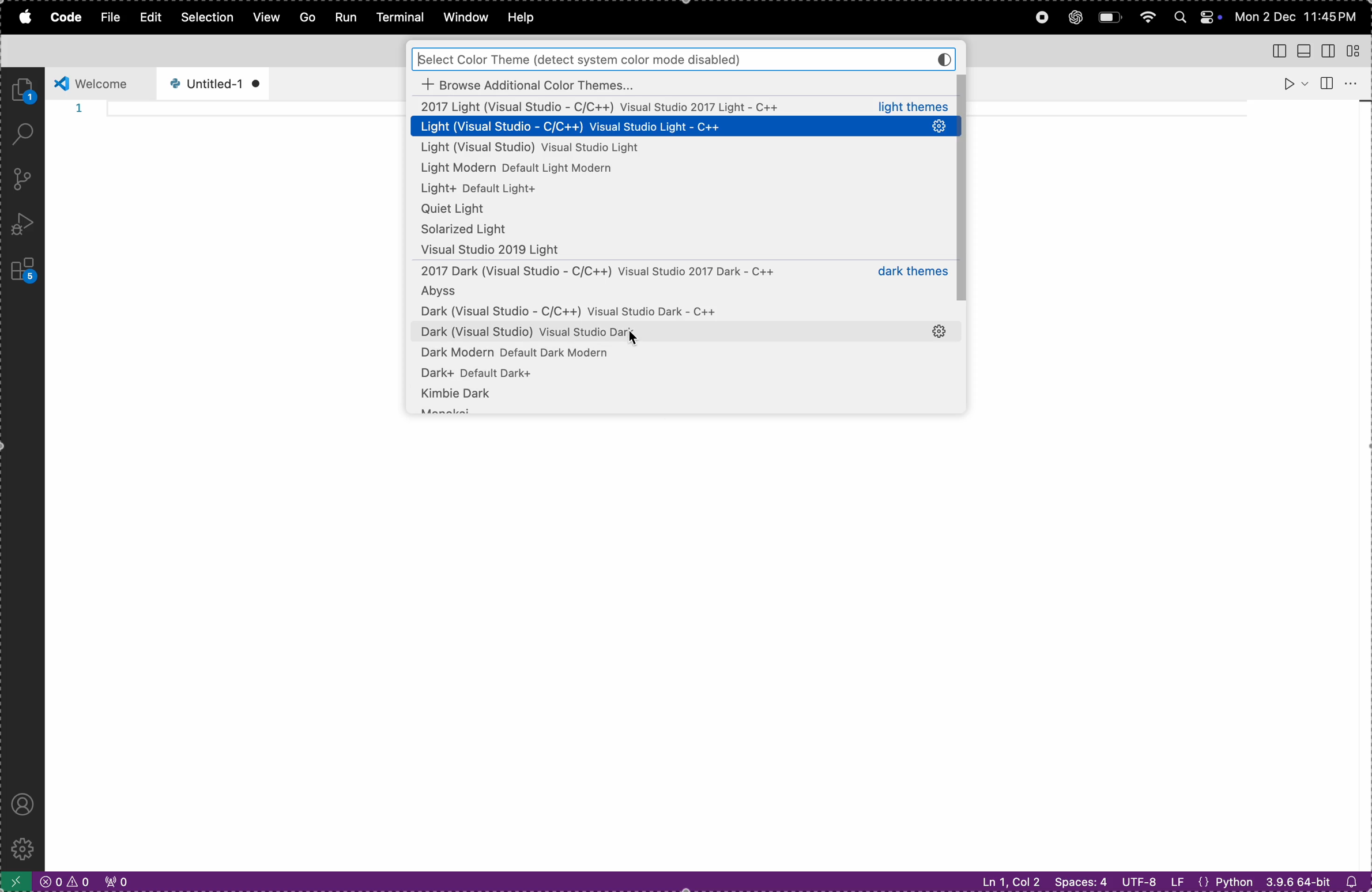 The height and width of the screenshot is (892, 1372). What do you see at coordinates (678, 354) in the screenshot?
I see `dark default modern` at bounding box center [678, 354].